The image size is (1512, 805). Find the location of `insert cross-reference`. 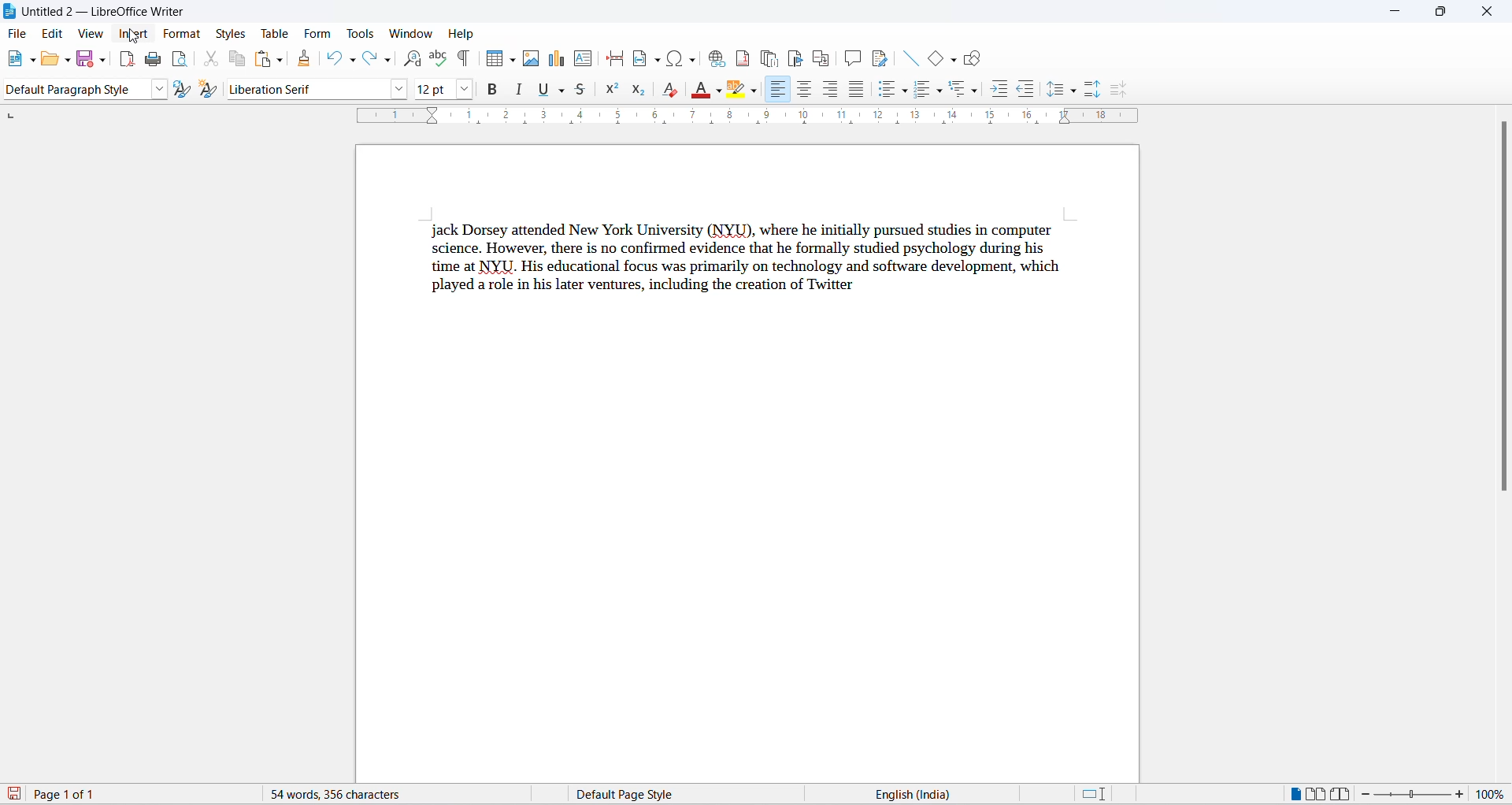

insert cross-reference is located at coordinates (821, 57).